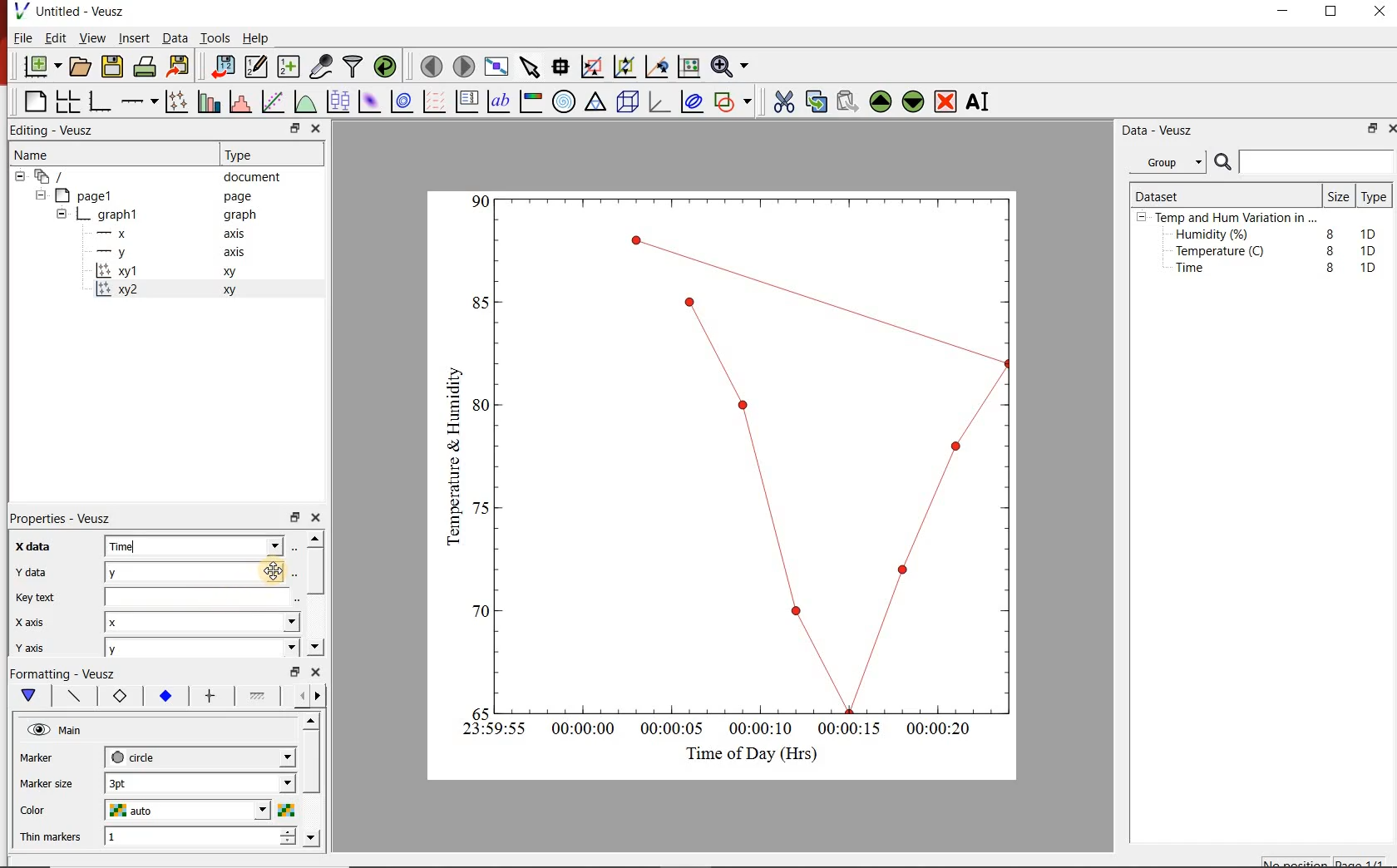 The height and width of the screenshot is (868, 1397). I want to click on xy, so click(233, 274).